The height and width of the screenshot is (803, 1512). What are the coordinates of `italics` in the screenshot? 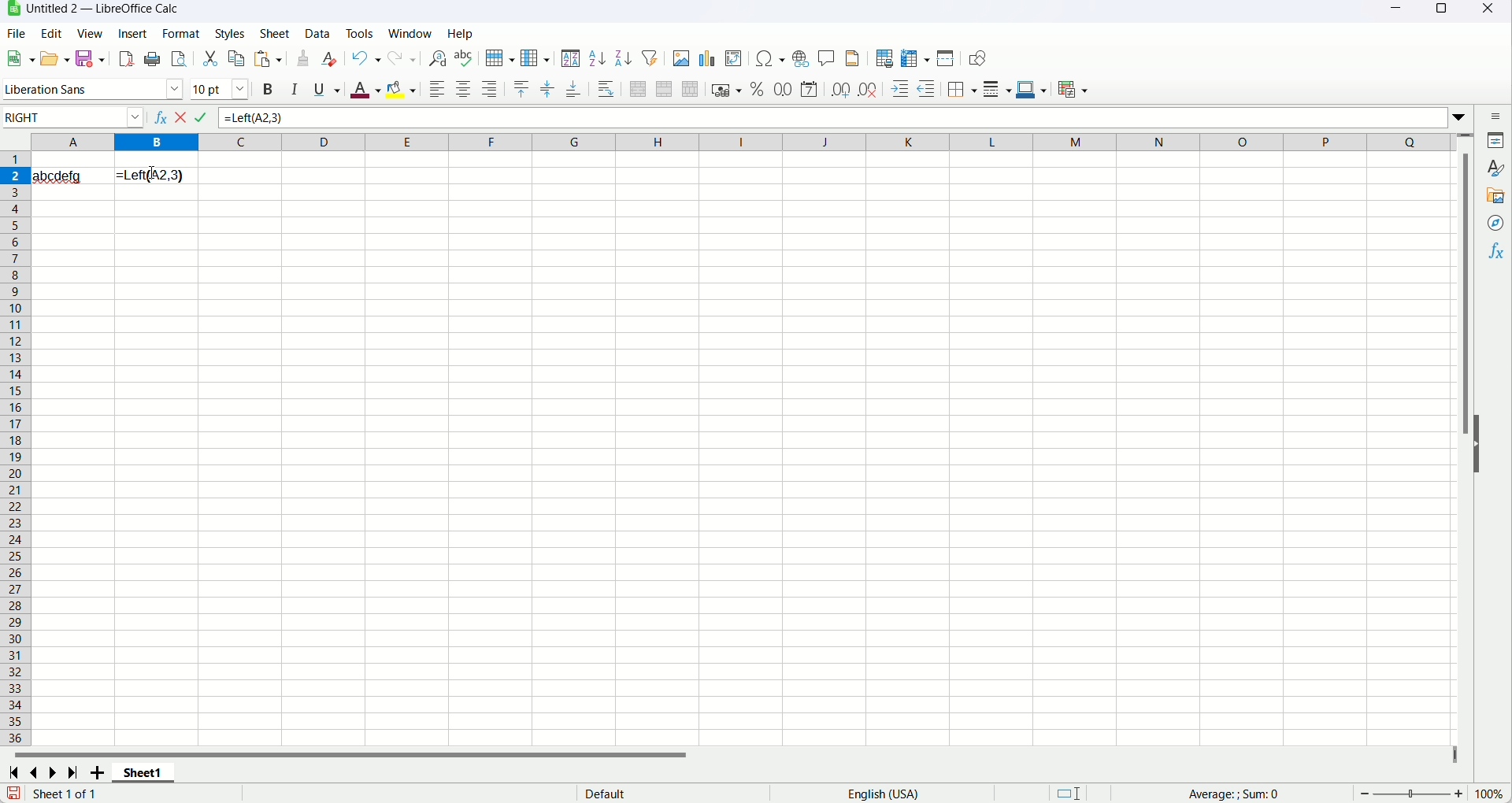 It's located at (295, 89).